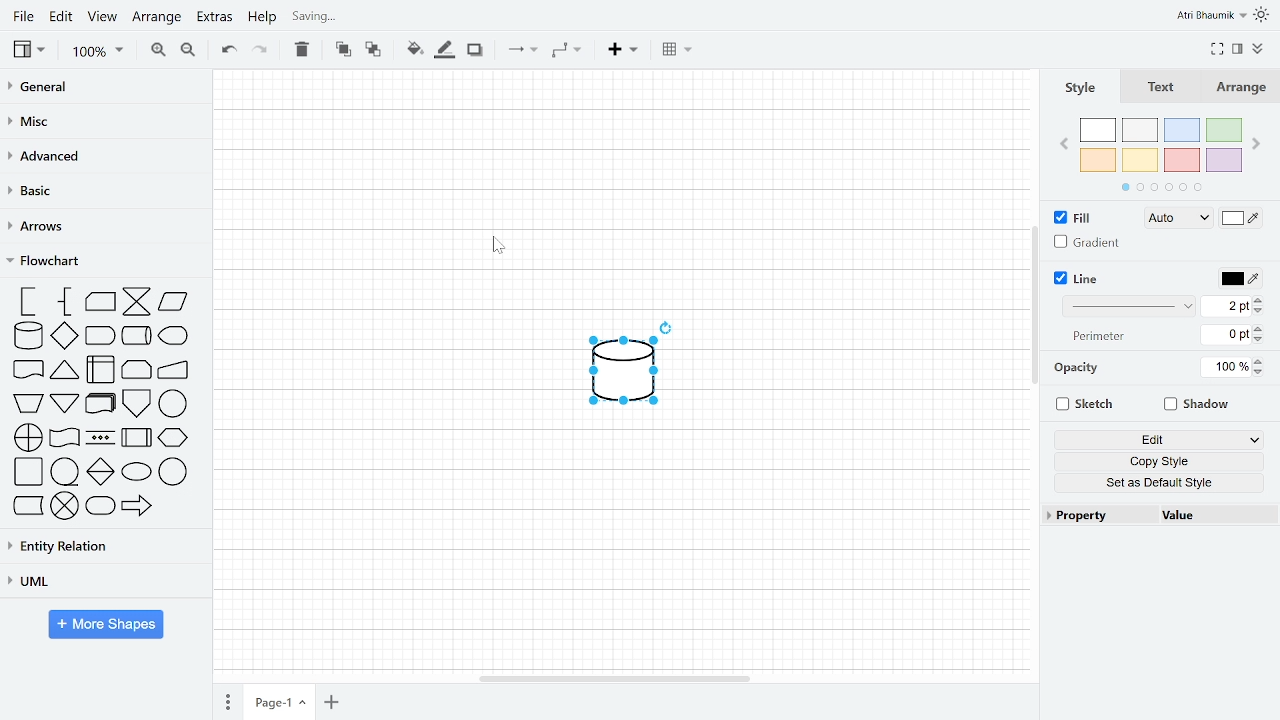 Image resolution: width=1280 pixels, height=720 pixels. Describe the element at coordinates (174, 371) in the screenshot. I see `manual input` at that location.